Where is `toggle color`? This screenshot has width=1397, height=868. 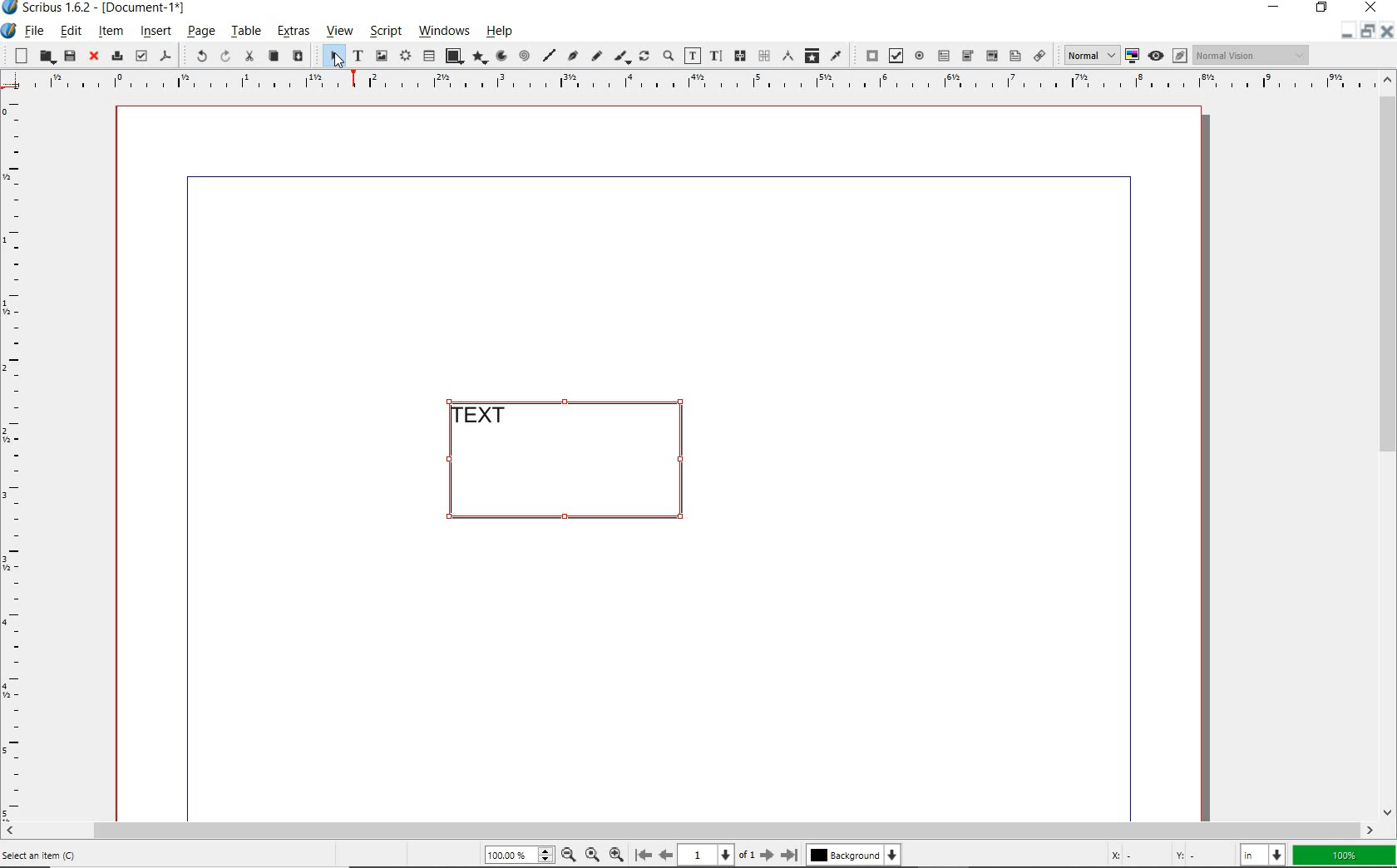 toggle color is located at coordinates (1133, 55).